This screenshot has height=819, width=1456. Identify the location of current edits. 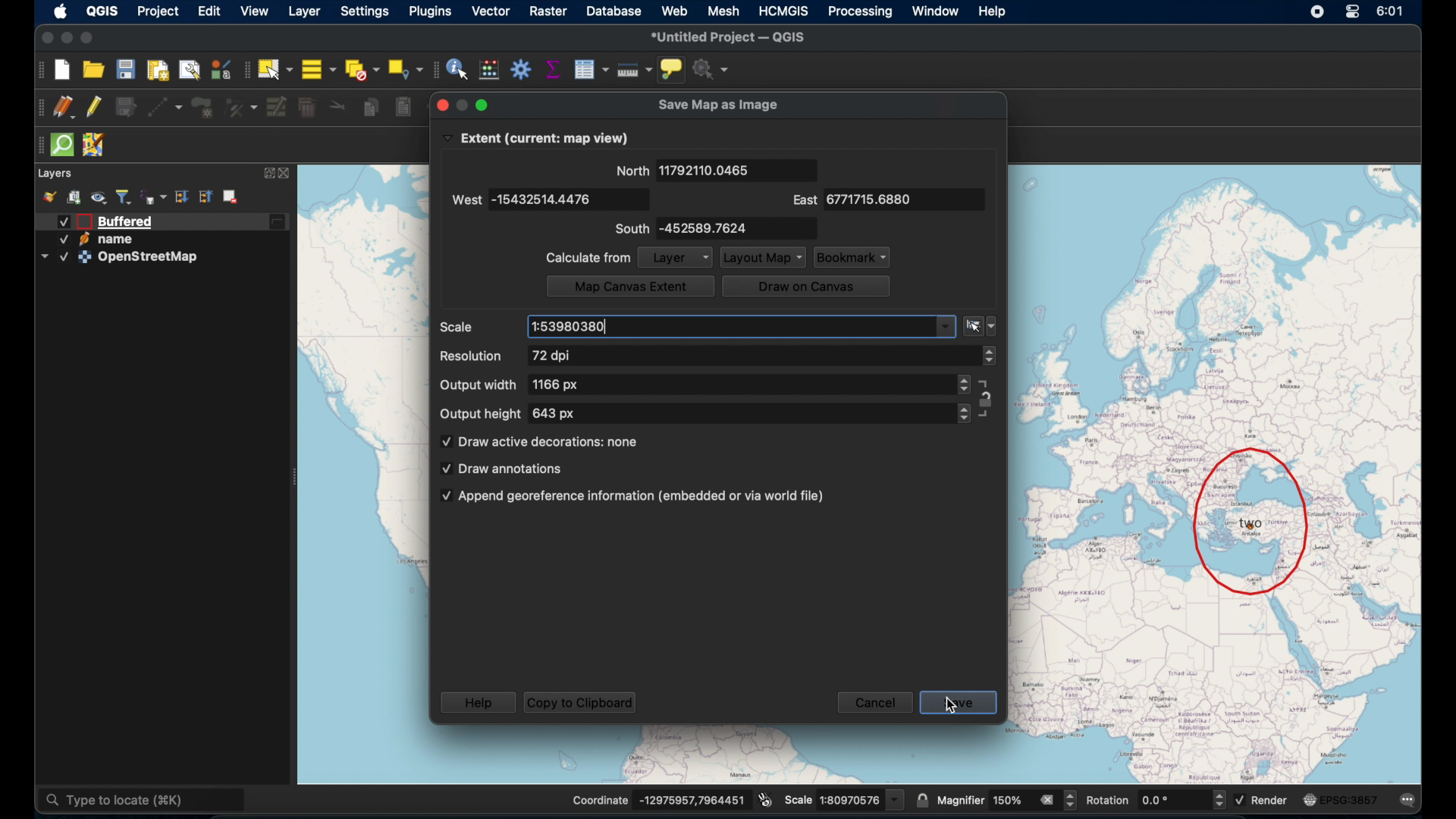
(65, 108).